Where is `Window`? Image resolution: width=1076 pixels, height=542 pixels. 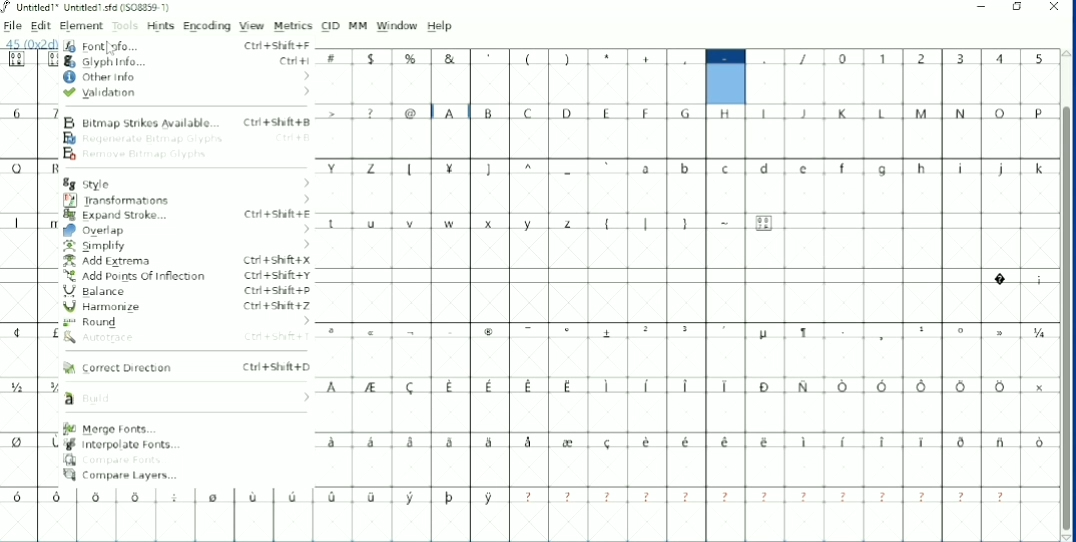
Window is located at coordinates (397, 26).